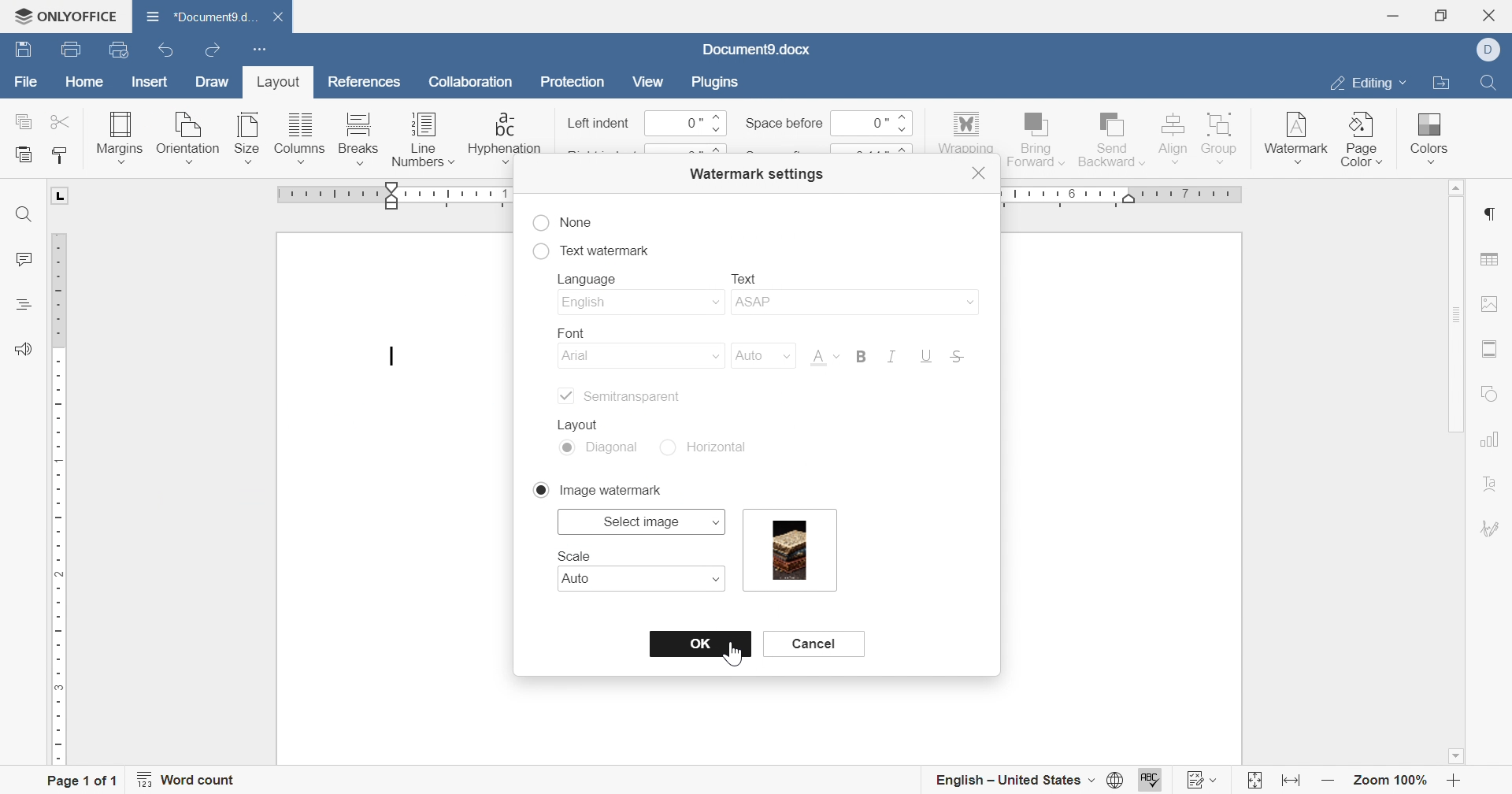  What do you see at coordinates (275, 85) in the screenshot?
I see `layout` at bounding box center [275, 85].